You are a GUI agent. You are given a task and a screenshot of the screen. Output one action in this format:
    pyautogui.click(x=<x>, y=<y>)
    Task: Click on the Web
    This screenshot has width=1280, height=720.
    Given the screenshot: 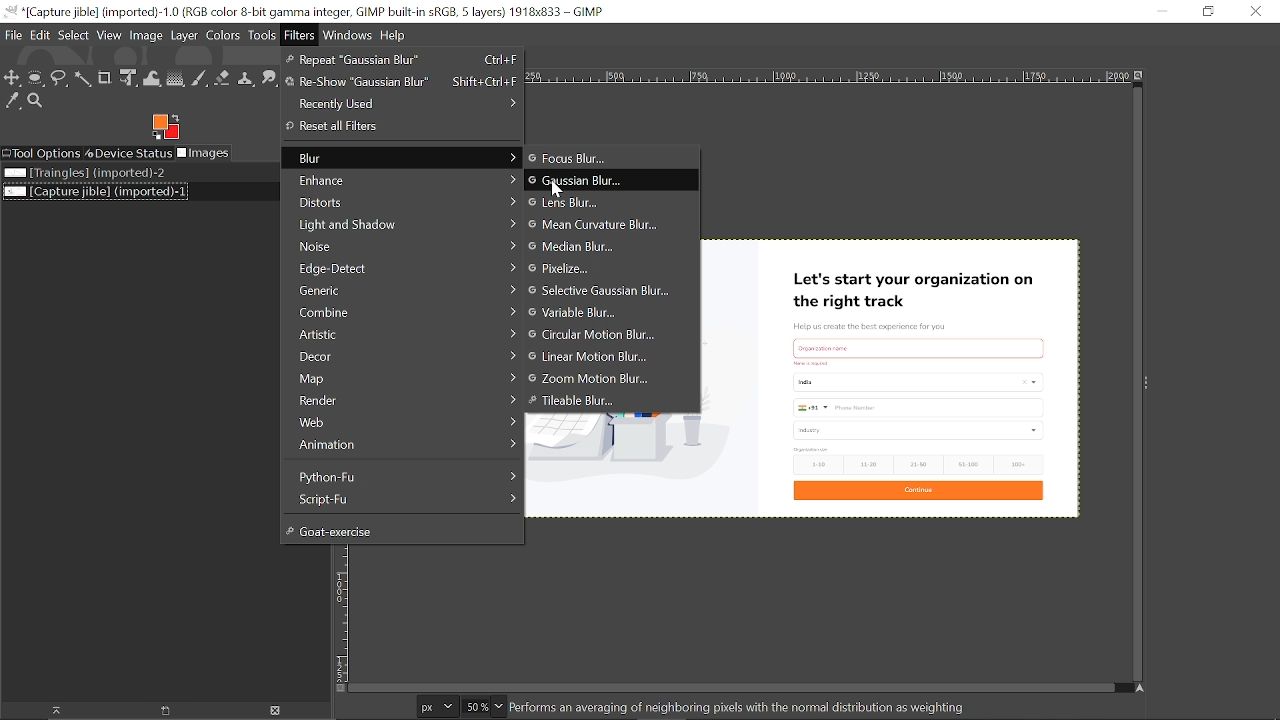 What is the action you would take?
    pyautogui.click(x=402, y=422)
    